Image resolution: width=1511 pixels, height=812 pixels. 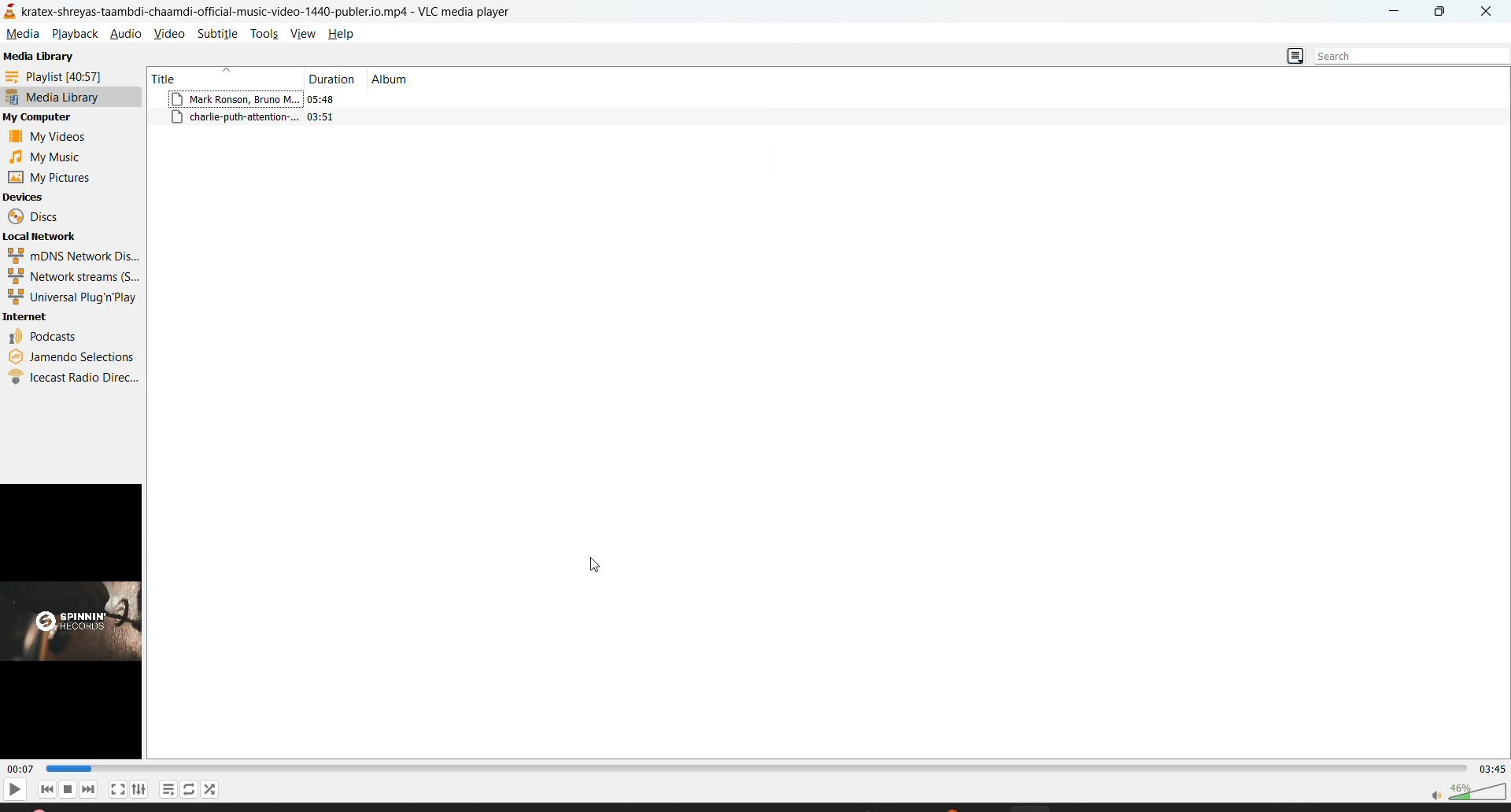 I want to click on thumbnail/preview, so click(x=76, y=622).